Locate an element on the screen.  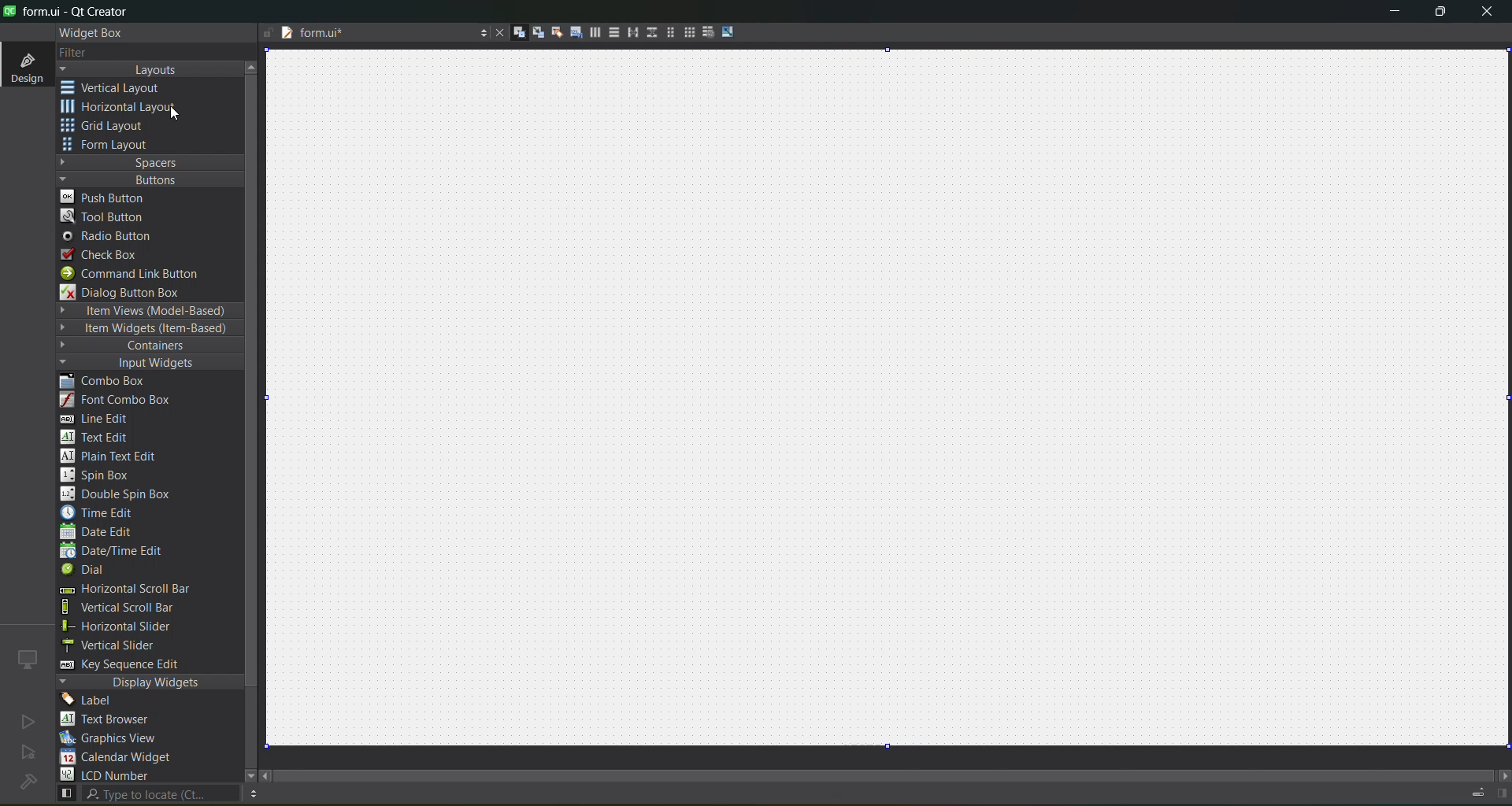
edit widgets is located at coordinates (513, 33).